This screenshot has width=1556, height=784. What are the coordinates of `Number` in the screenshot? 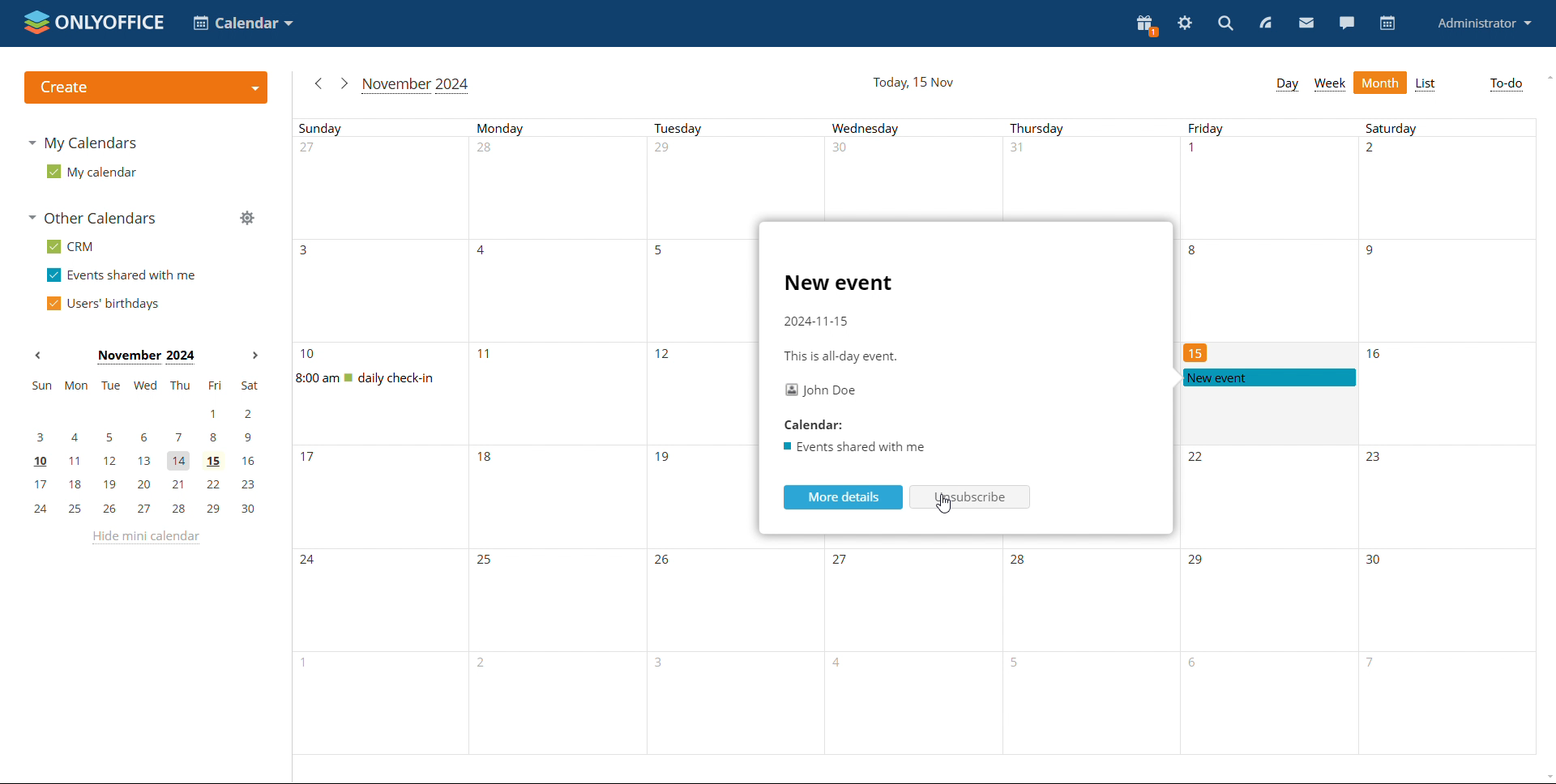 It's located at (1372, 560).